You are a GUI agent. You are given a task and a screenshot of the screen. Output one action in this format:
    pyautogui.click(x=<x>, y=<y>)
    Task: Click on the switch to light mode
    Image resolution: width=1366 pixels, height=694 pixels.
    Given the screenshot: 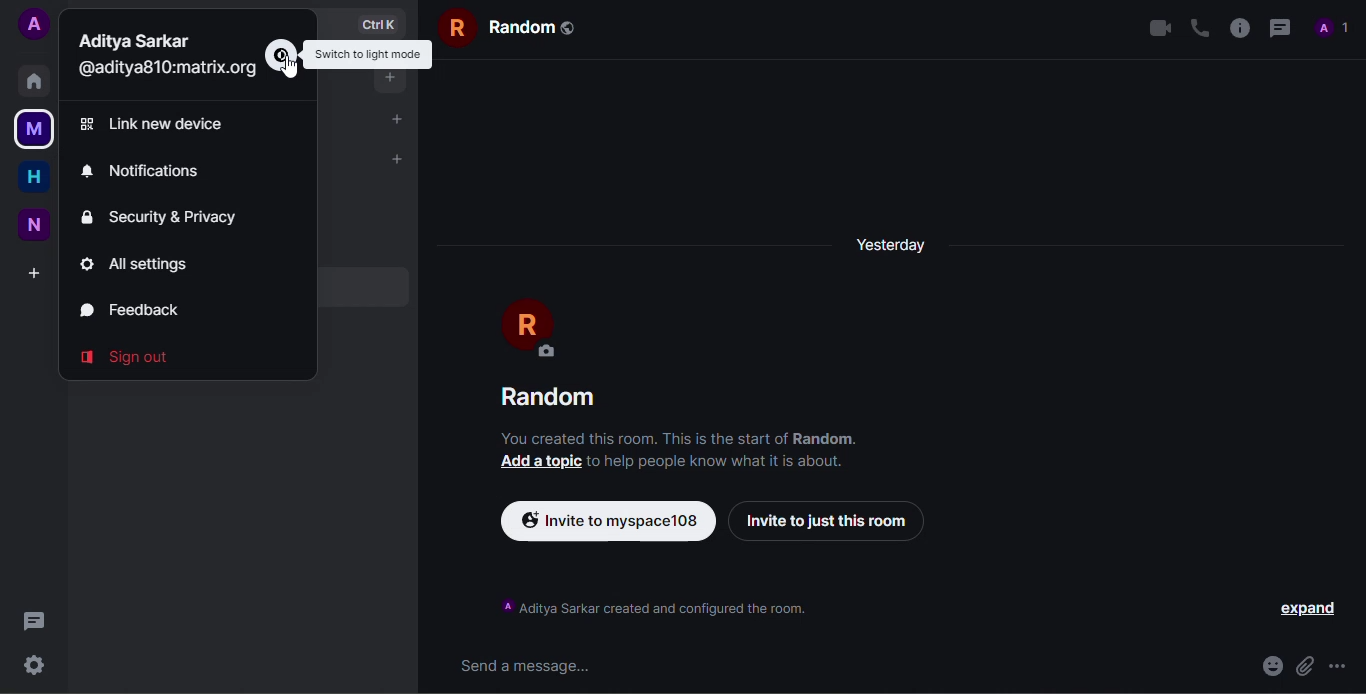 What is the action you would take?
    pyautogui.click(x=369, y=54)
    